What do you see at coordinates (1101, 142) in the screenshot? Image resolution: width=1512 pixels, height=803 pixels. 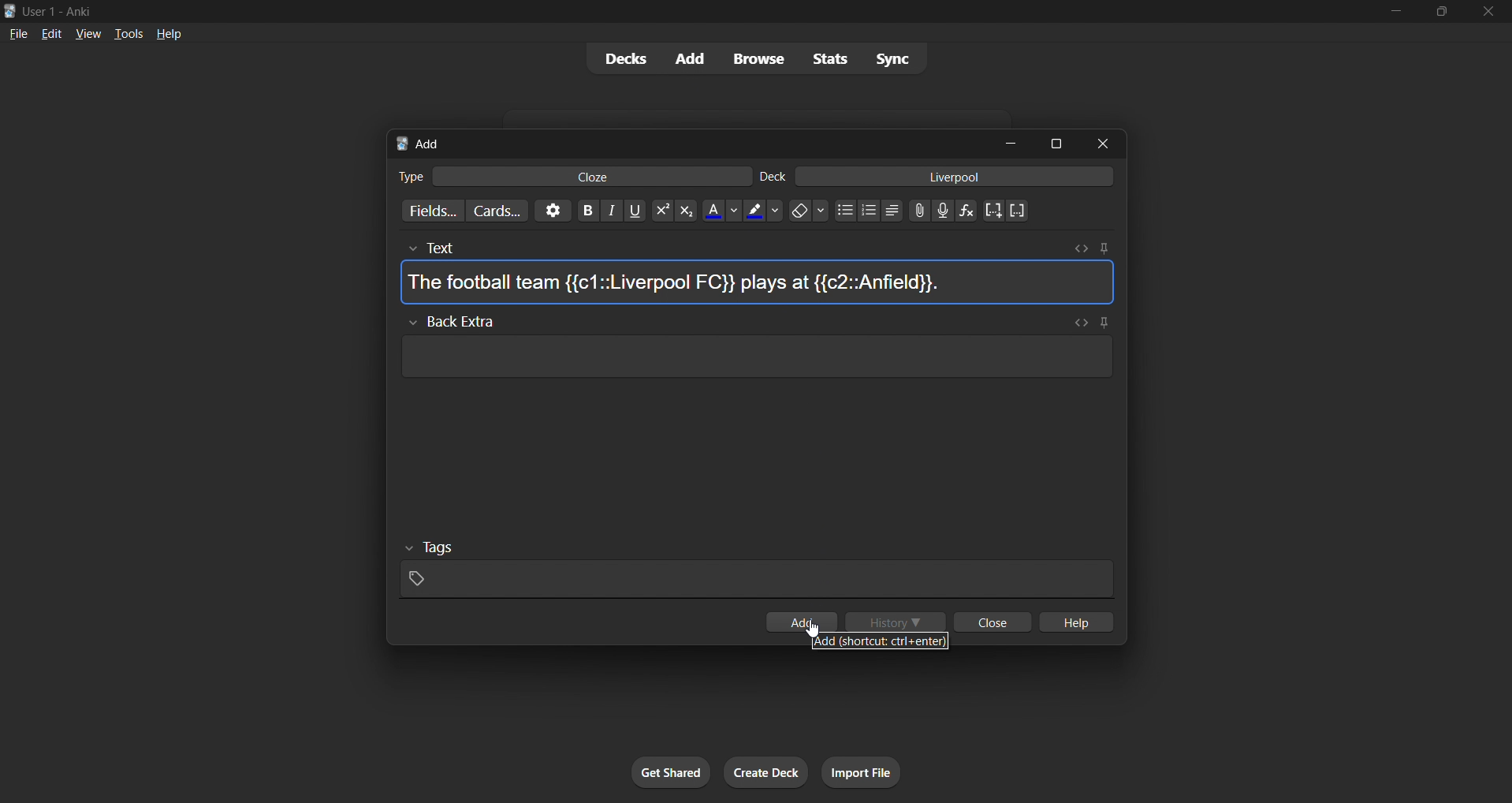 I see `close` at bounding box center [1101, 142].